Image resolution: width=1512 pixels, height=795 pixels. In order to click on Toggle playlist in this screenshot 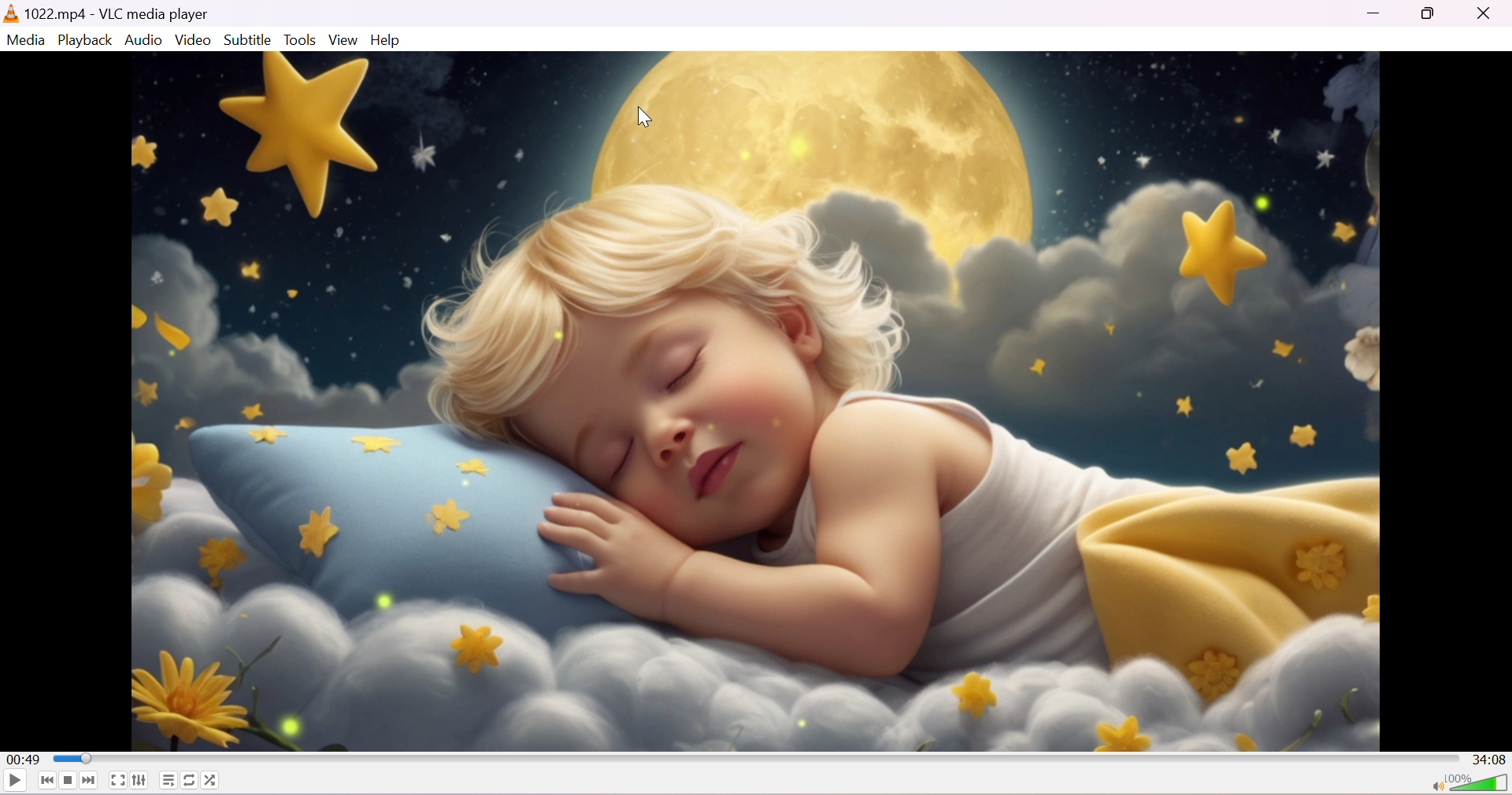, I will do `click(167, 781)`.